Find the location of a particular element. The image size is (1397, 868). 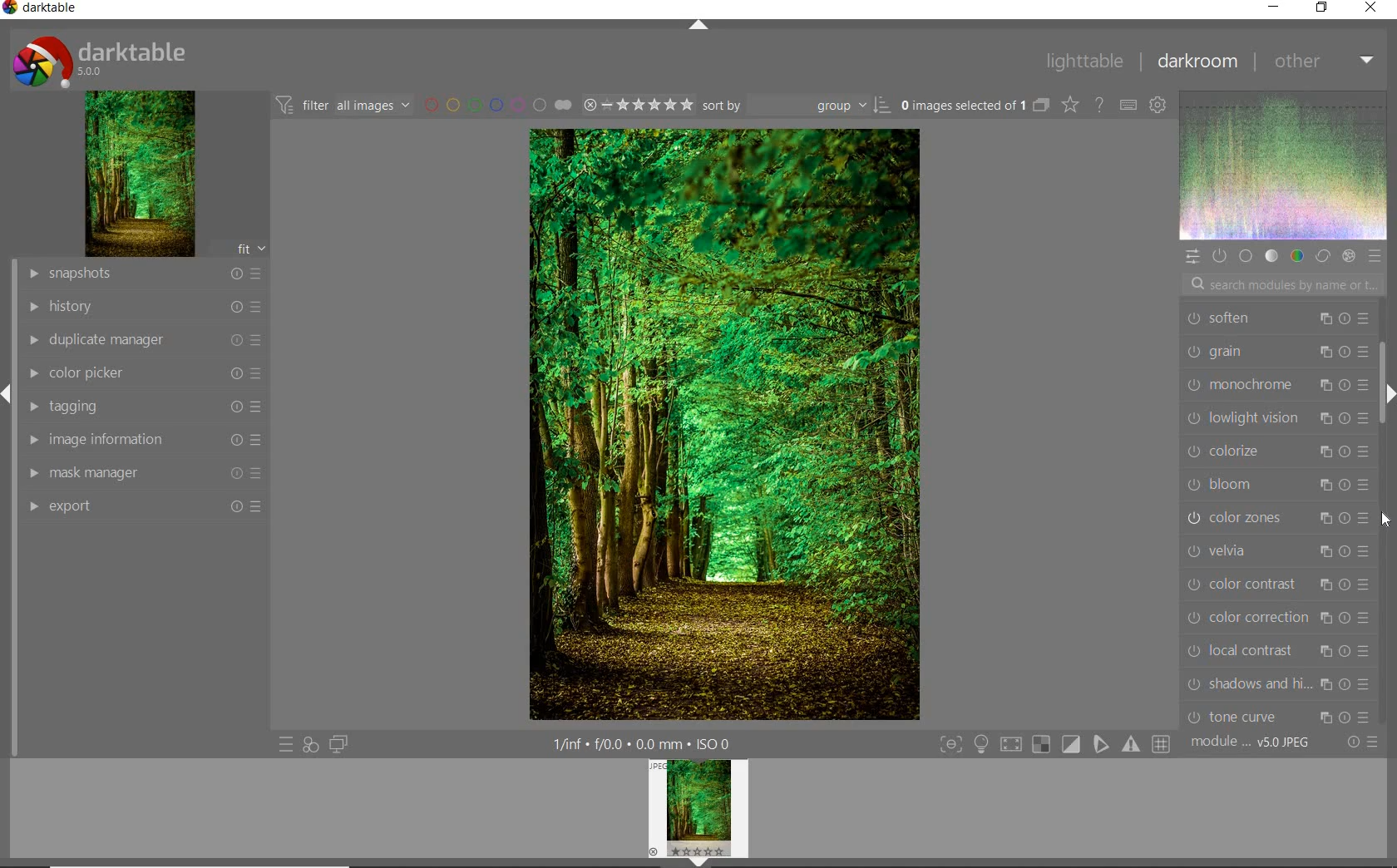

CHANGE TYPE OVERRELAY is located at coordinates (1071, 105).